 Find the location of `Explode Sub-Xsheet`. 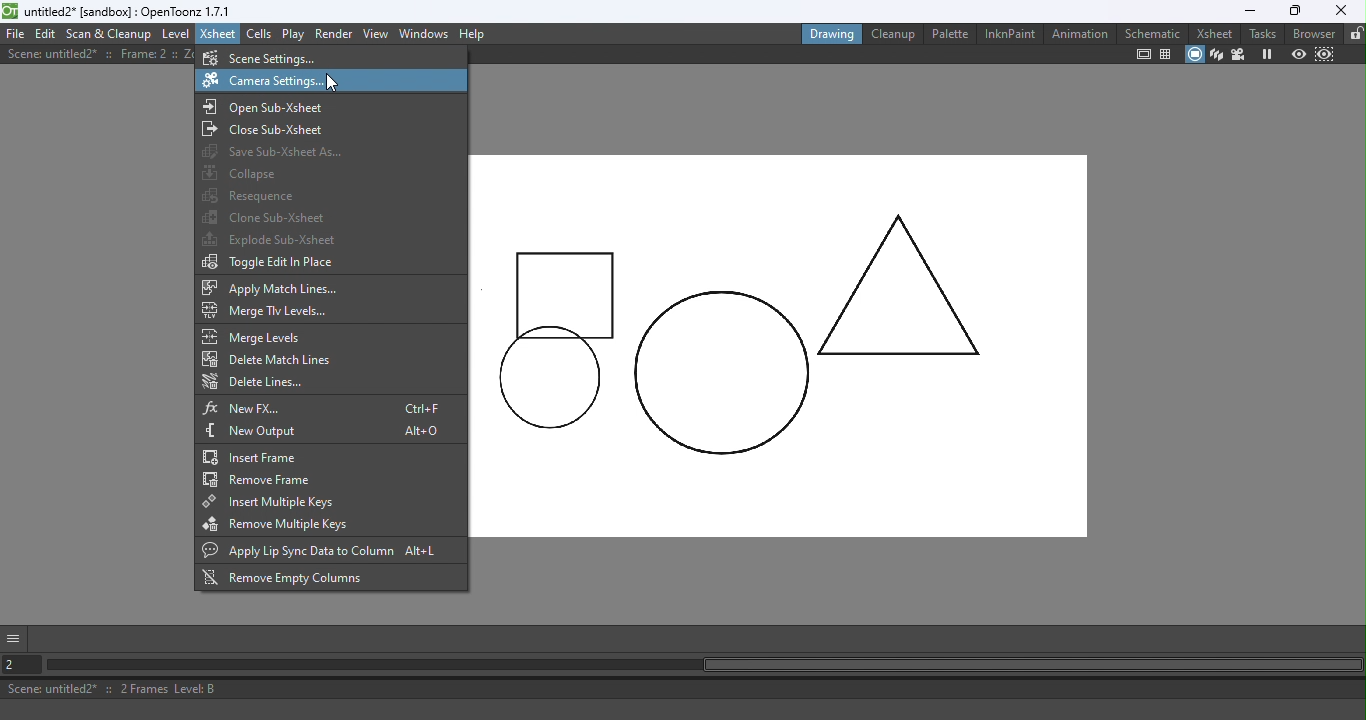

Explode Sub-Xsheet is located at coordinates (272, 241).